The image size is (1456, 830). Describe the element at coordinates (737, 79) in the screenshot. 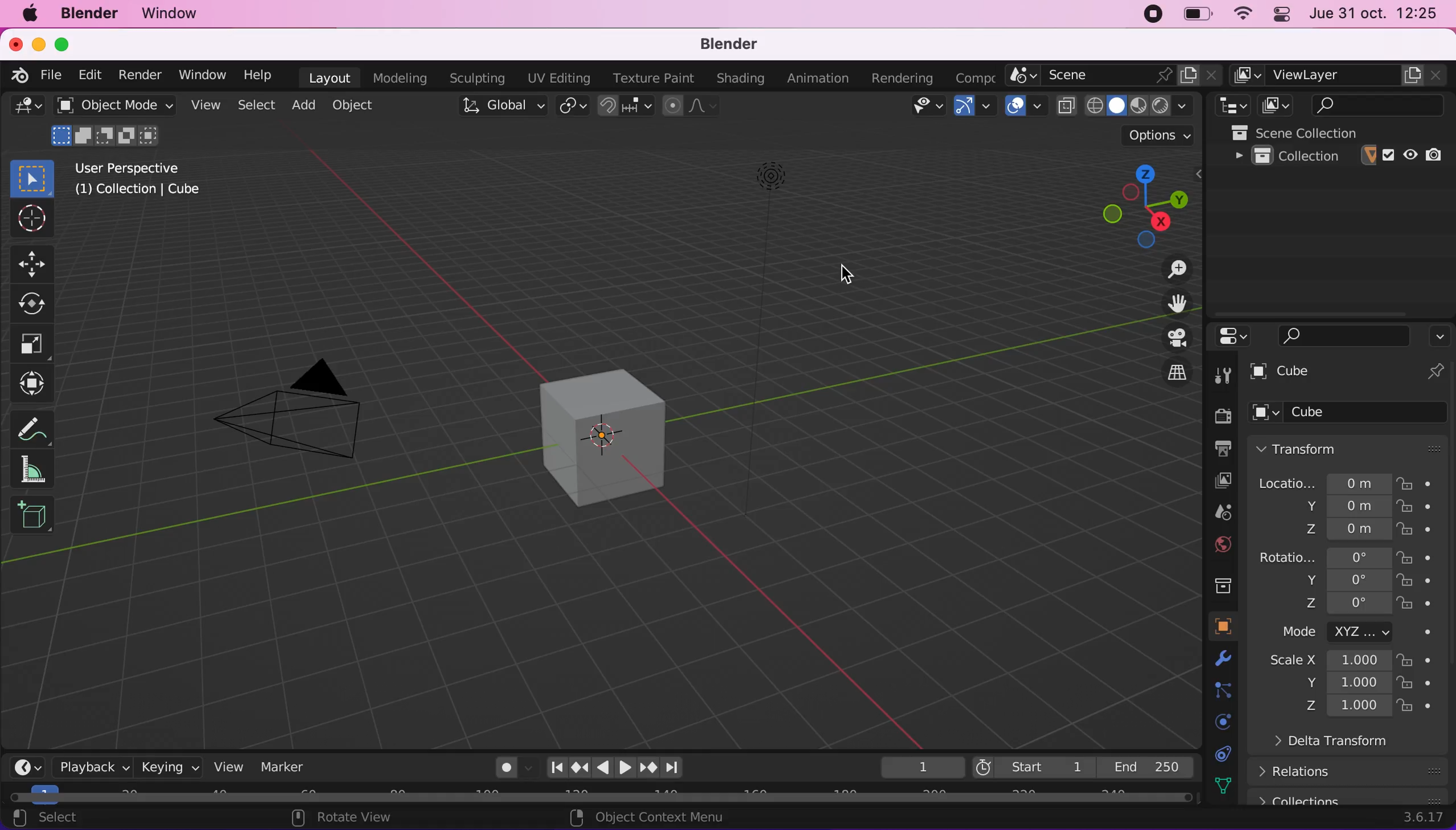

I see `shading` at that location.